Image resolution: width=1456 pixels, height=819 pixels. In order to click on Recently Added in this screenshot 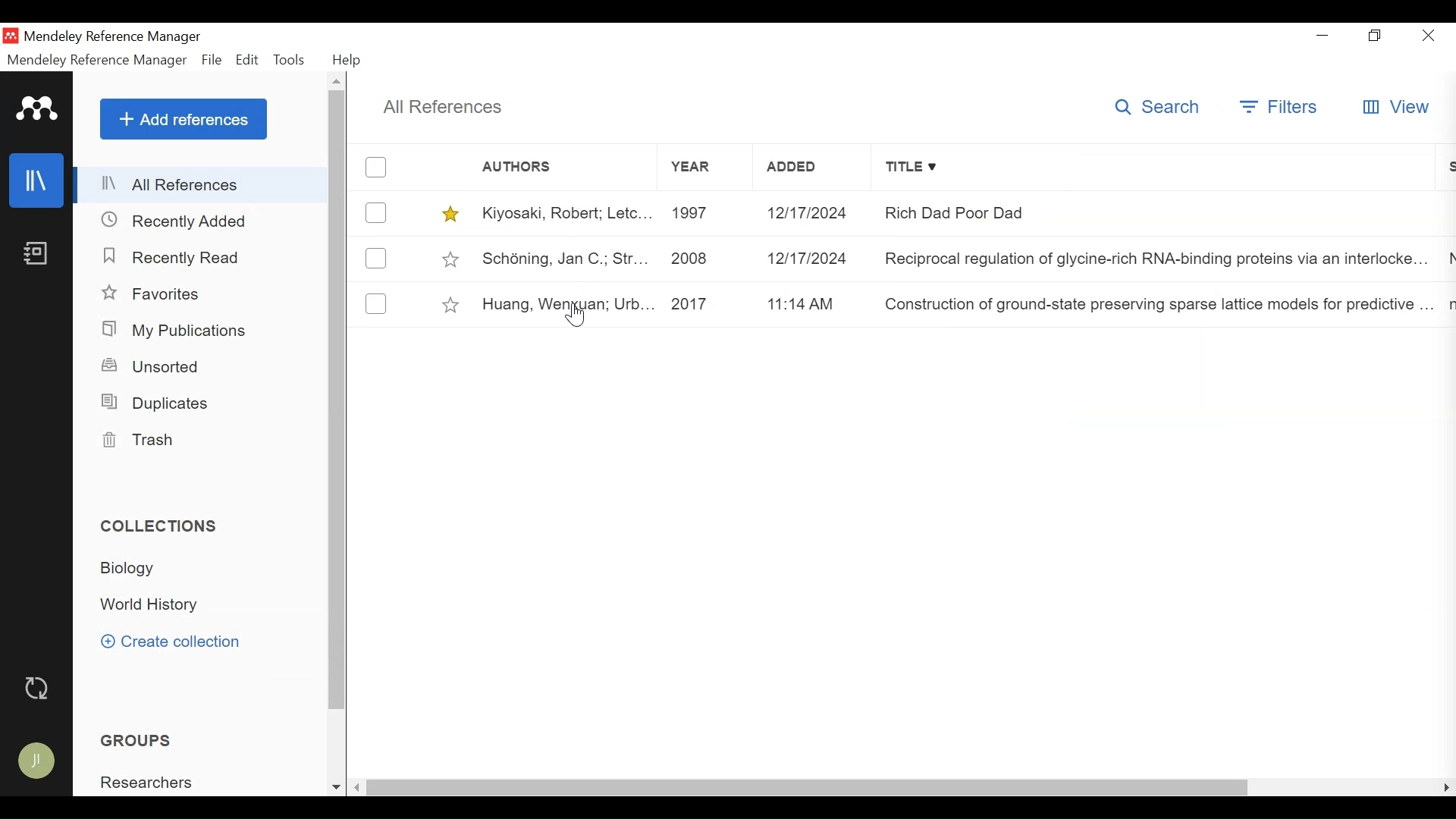, I will do `click(175, 221)`.